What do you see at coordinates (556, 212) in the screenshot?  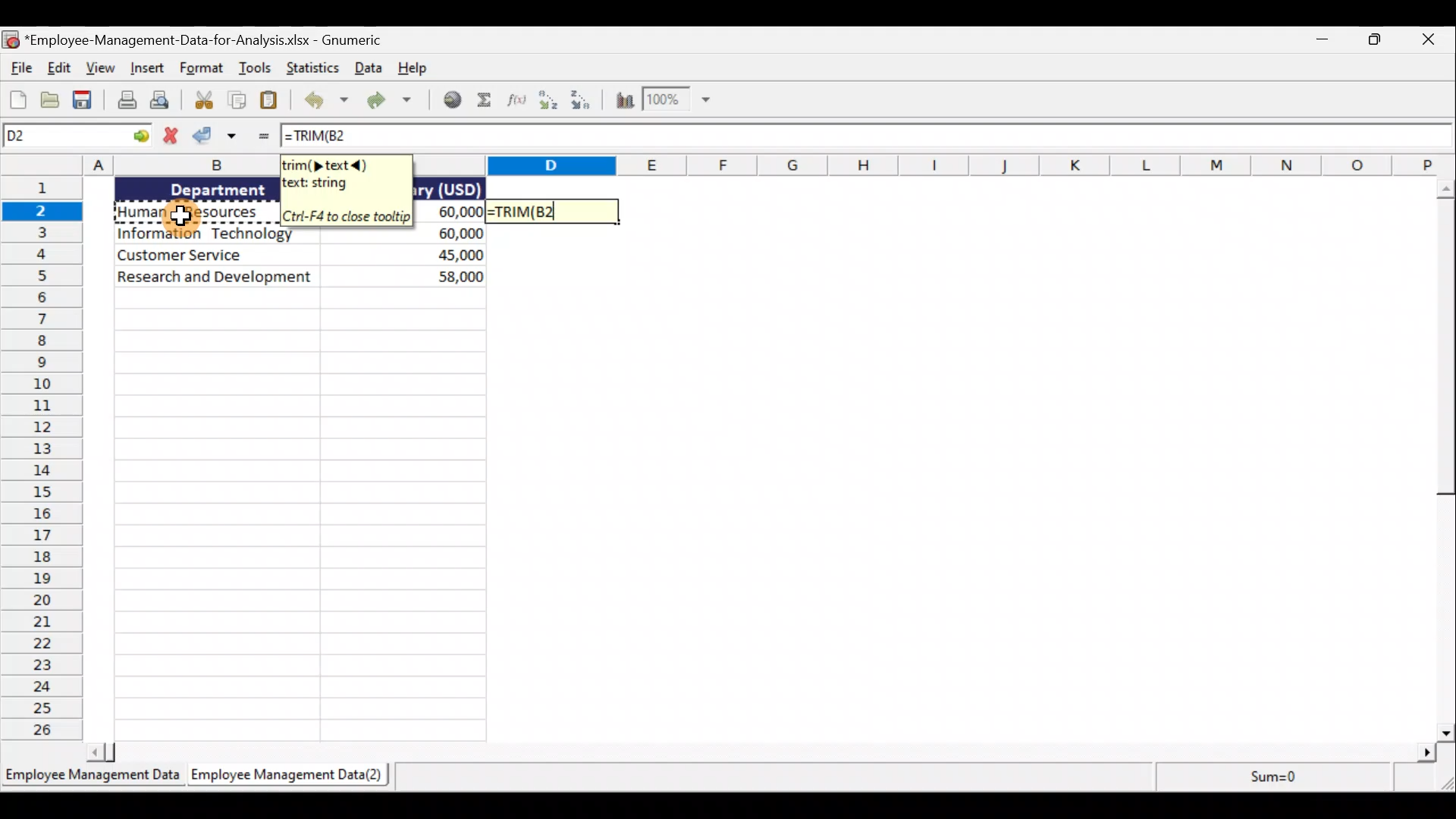 I see `=TRIM(B2` at bounding box center [556, 212].